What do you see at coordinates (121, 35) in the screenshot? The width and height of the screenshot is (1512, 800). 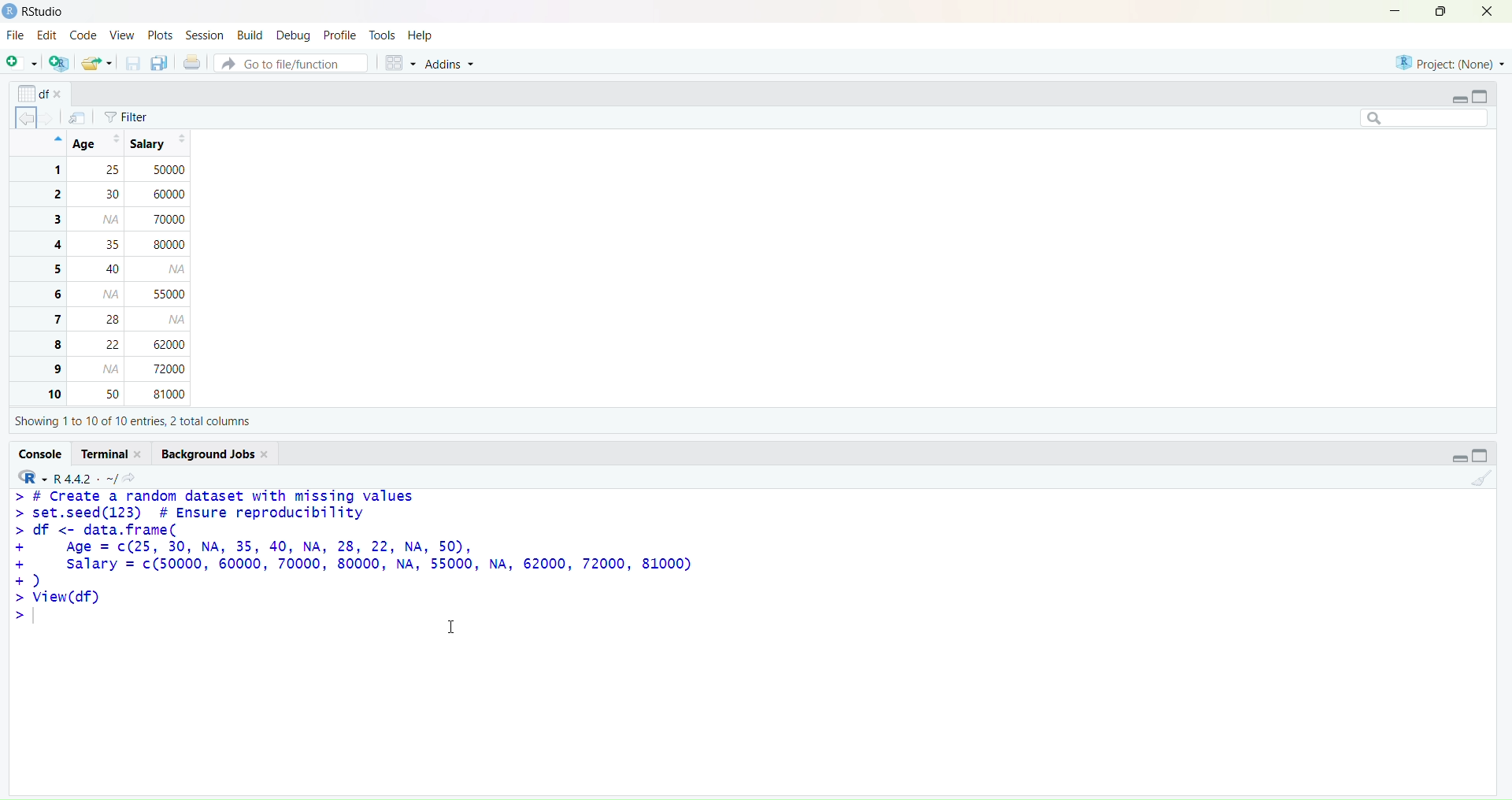 I see `view` at bounding box center [121, 35].